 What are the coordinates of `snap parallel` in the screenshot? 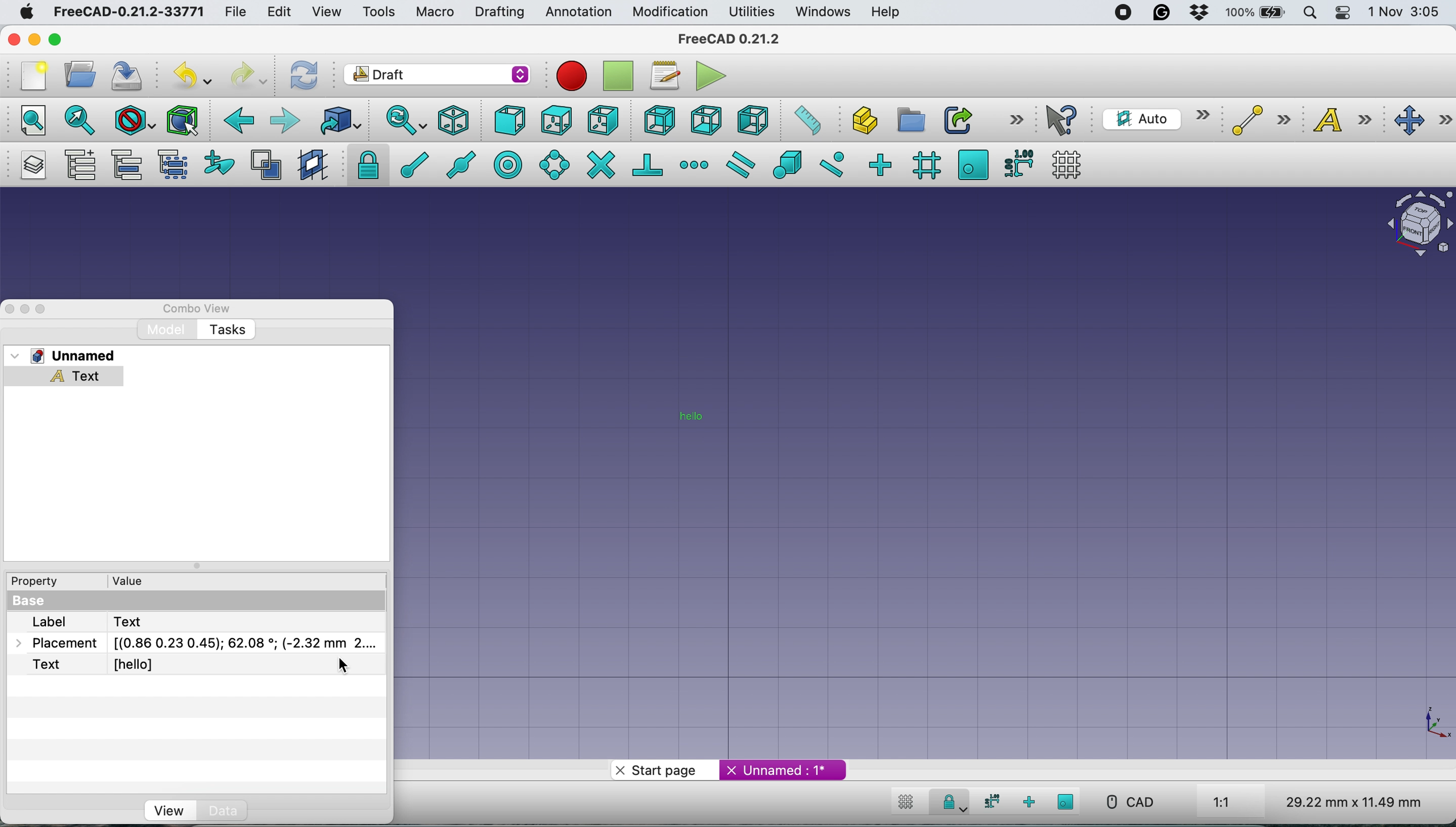 It's located at (738, 163).